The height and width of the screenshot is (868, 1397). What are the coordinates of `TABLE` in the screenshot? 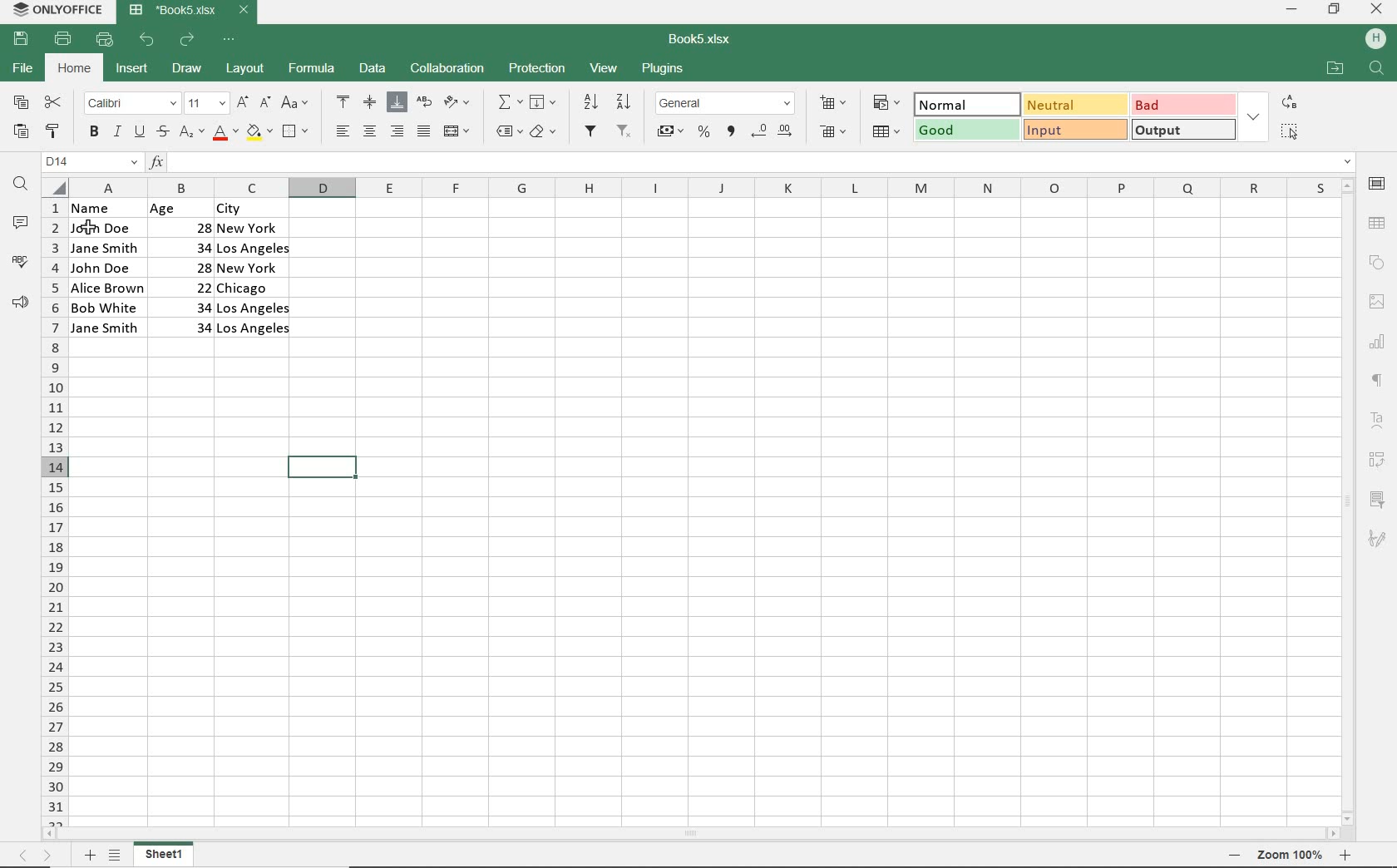 It's located at (1378, 223).